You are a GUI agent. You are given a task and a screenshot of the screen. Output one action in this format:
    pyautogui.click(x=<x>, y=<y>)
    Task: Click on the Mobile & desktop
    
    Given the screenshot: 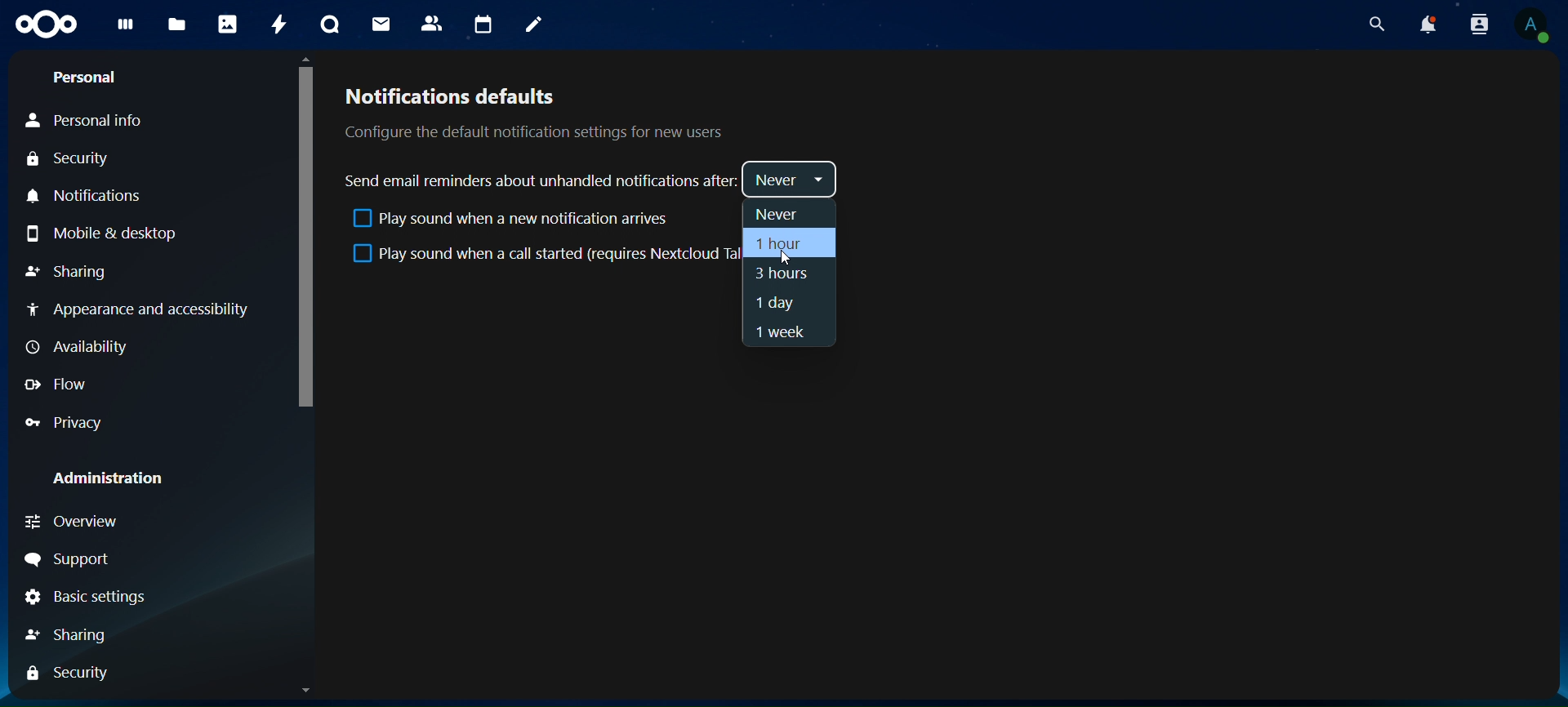 What is the action you would take?
    pyautogui.click(x=102, y=233)
    